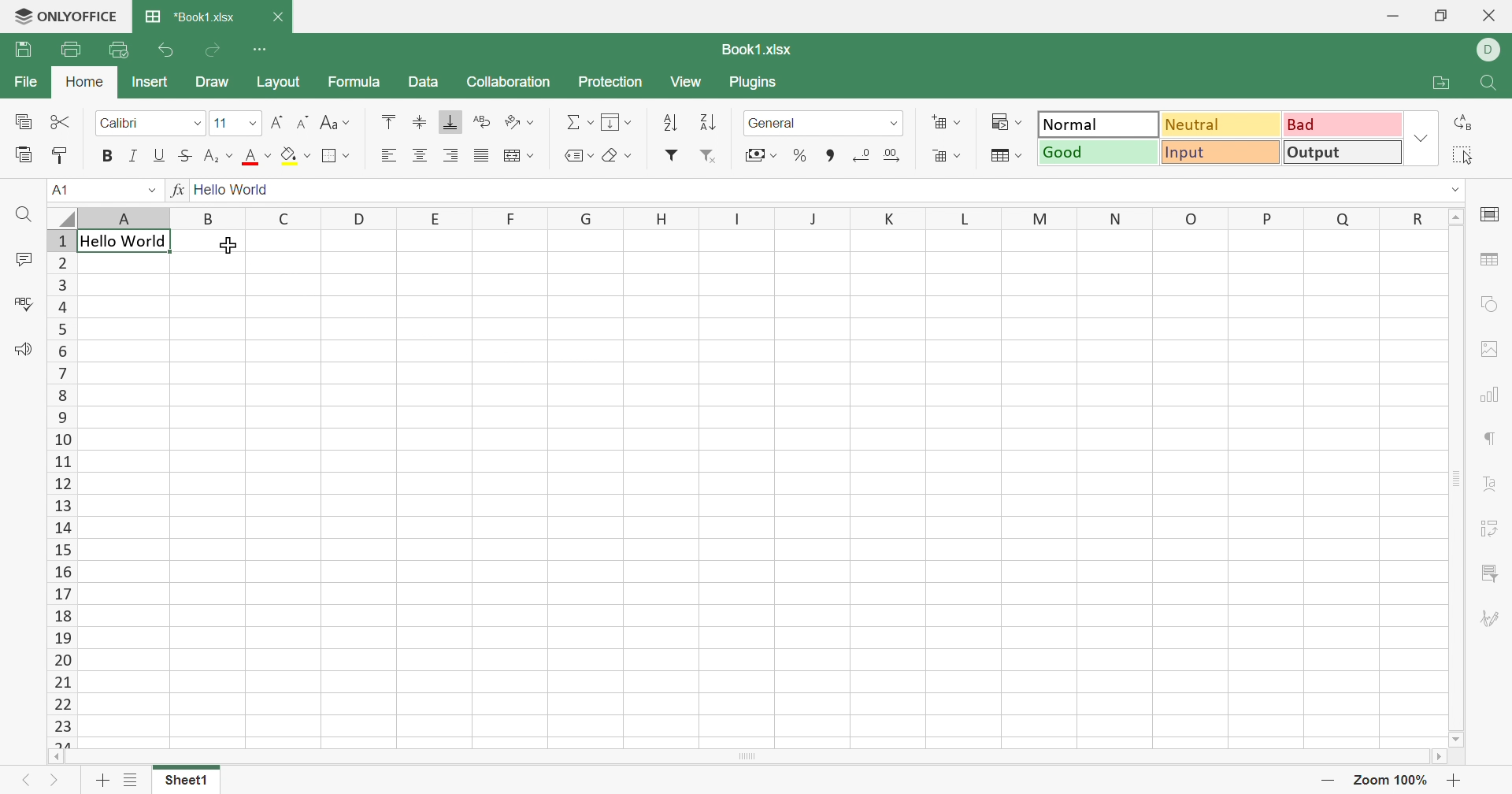  What do you see at coordinates (418, 82) in the screenshot?
I see `Data` at bounding box center [418, 82].